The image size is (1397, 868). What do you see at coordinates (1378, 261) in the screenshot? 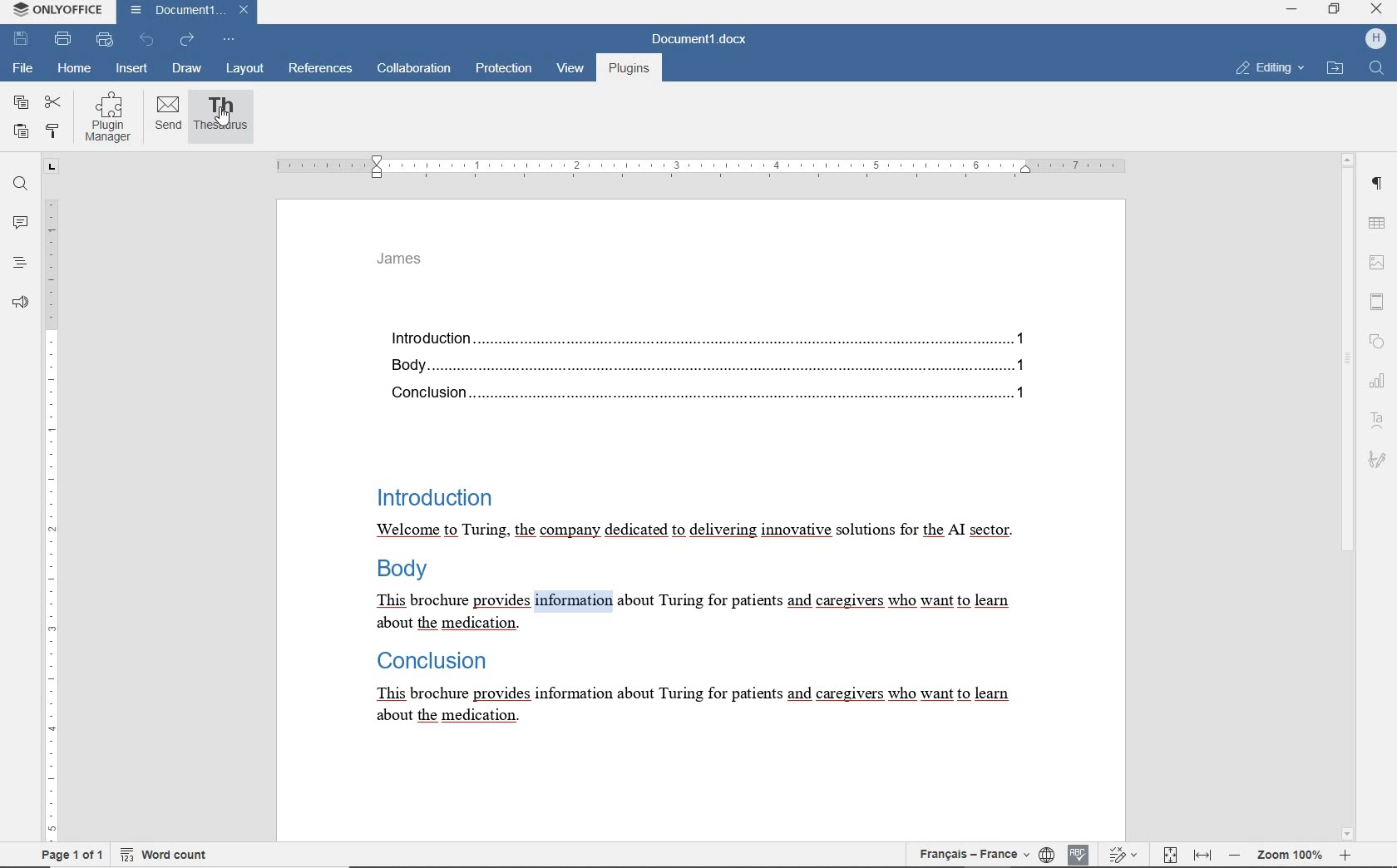
I see `IMAGE` at bounding box center [1378, 261].